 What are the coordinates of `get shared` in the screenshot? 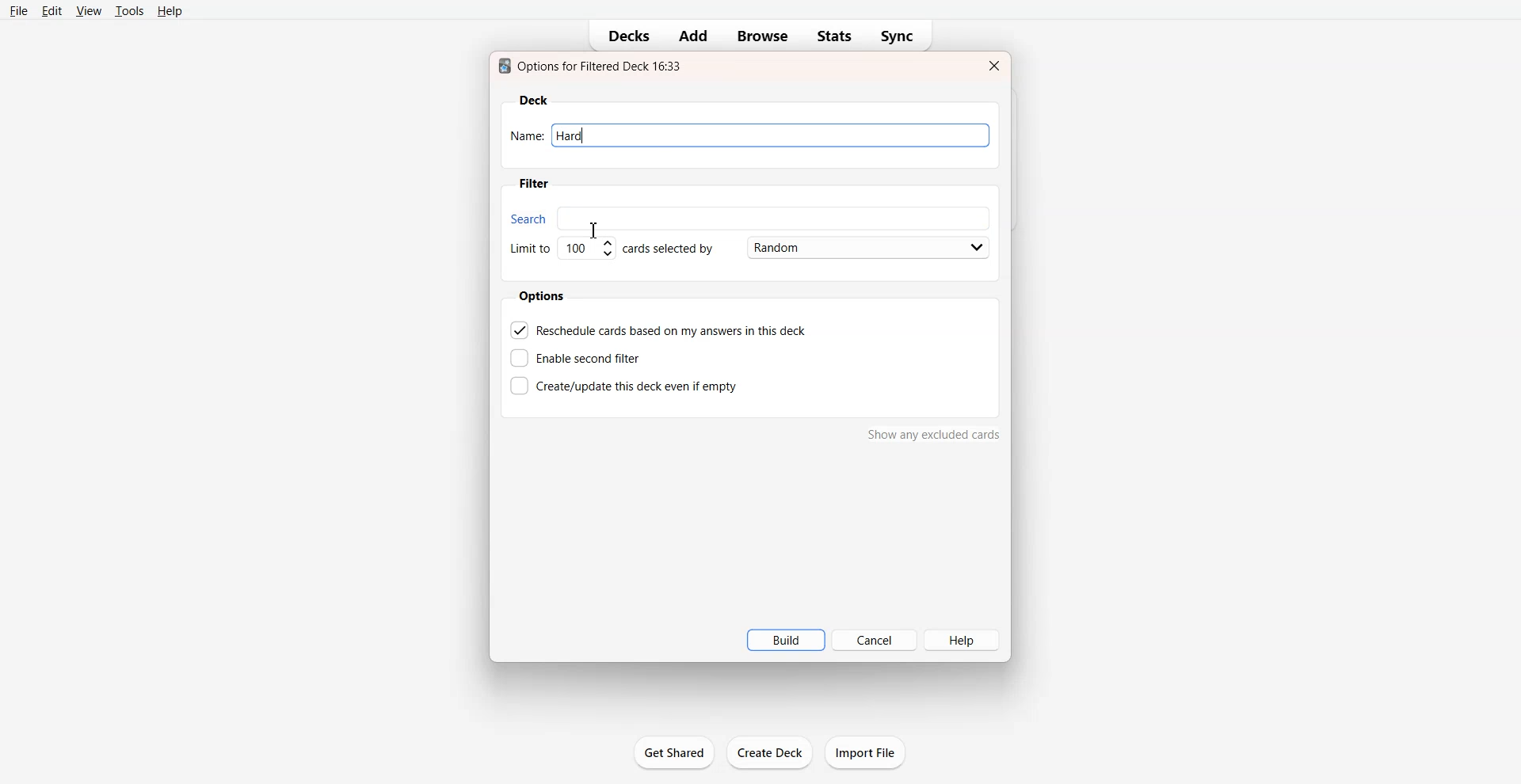 It's located at (677, 755).